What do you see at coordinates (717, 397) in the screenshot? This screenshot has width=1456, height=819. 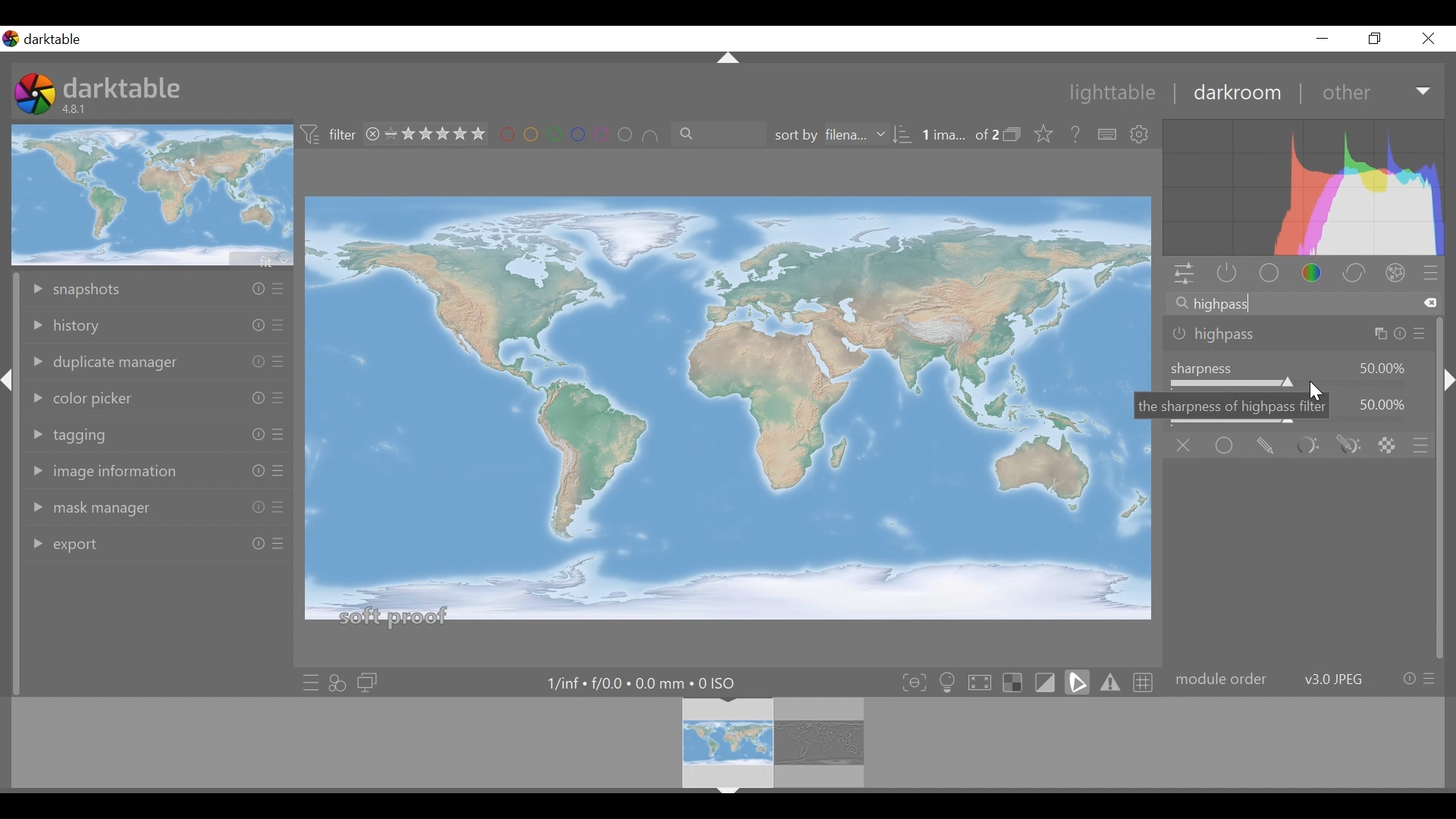 I see `Image` at bounding box center [717, 397].